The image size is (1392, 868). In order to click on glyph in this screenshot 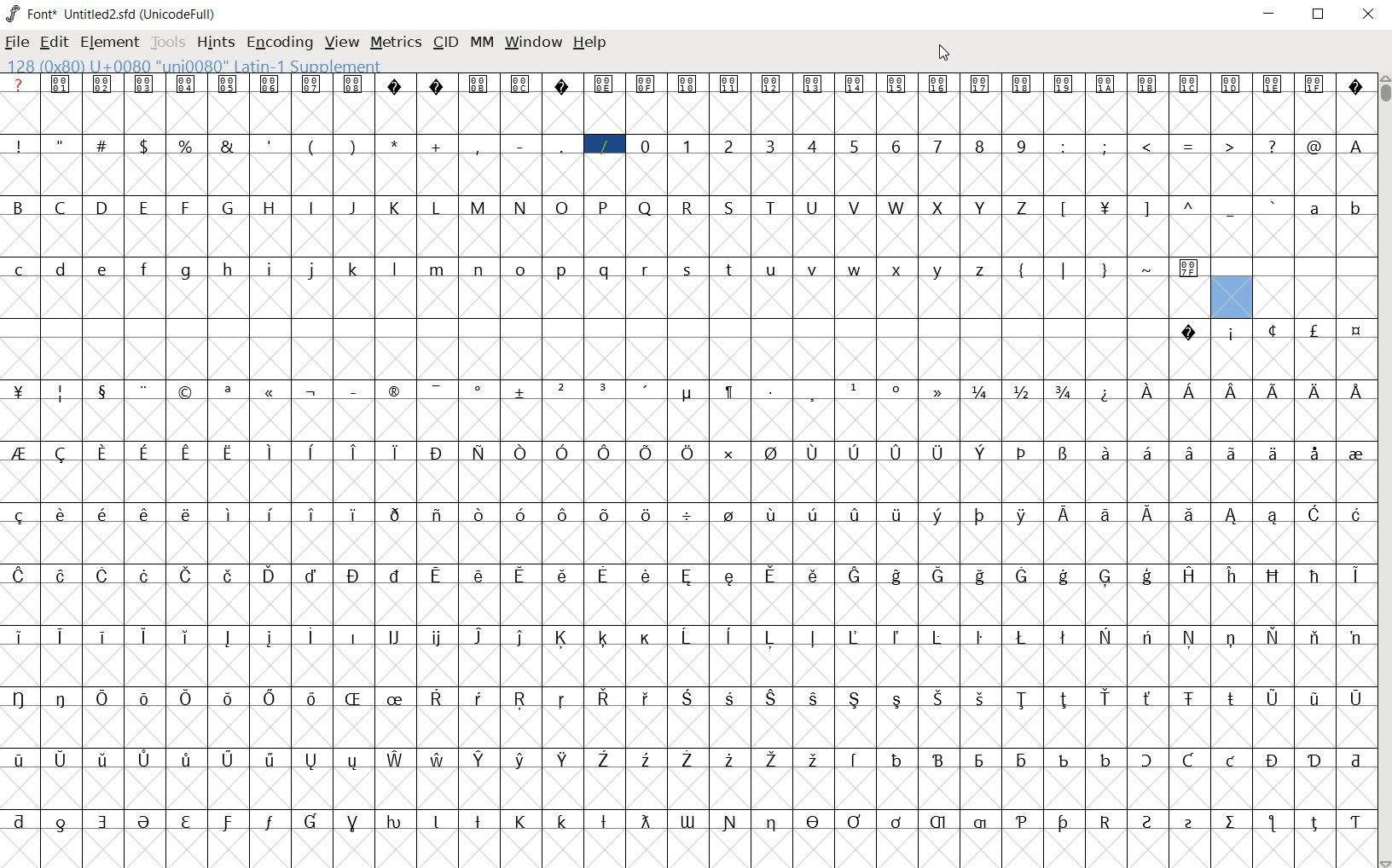, I will do `click(729, 208)`.